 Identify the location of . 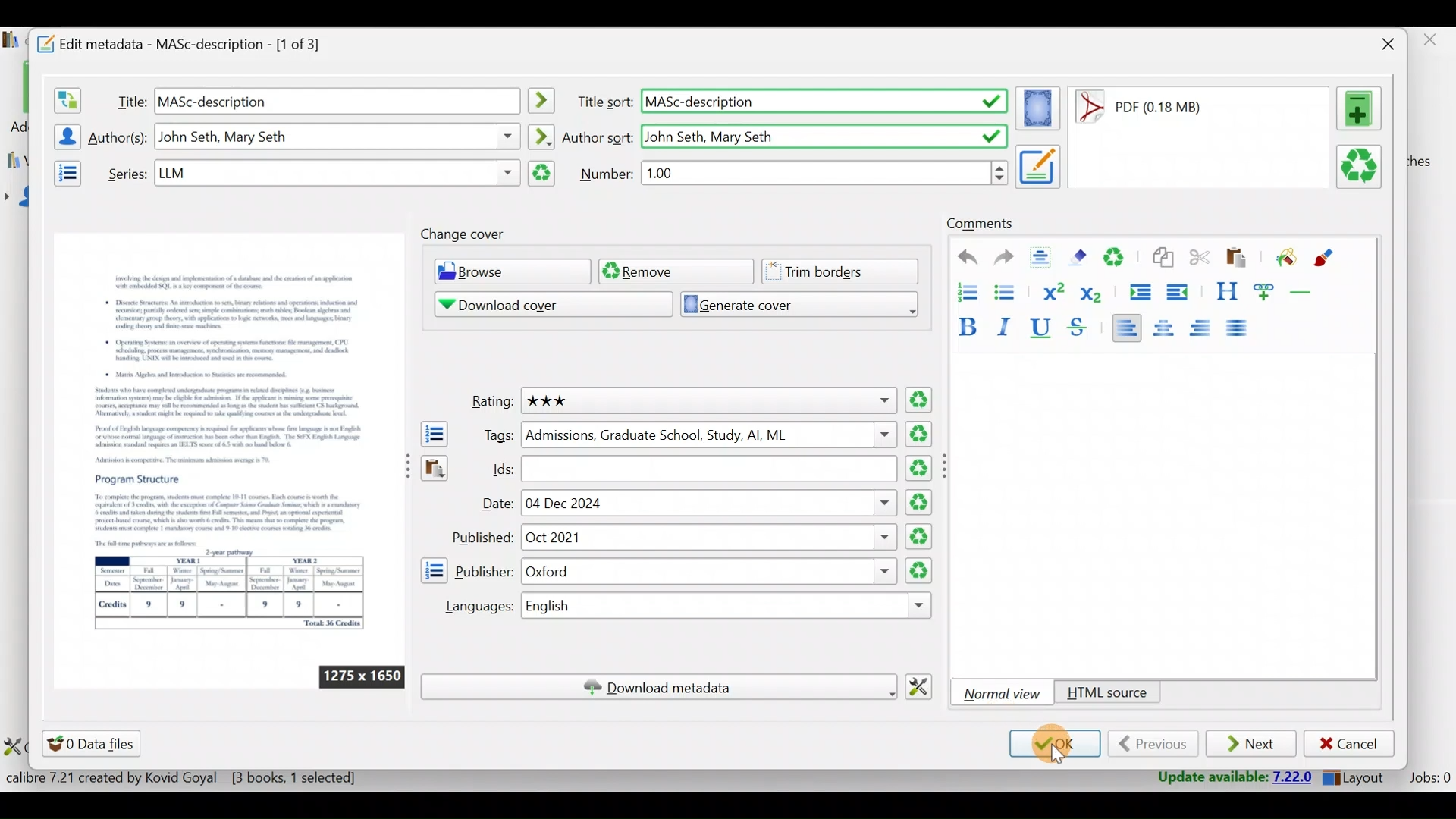
(709, 435).